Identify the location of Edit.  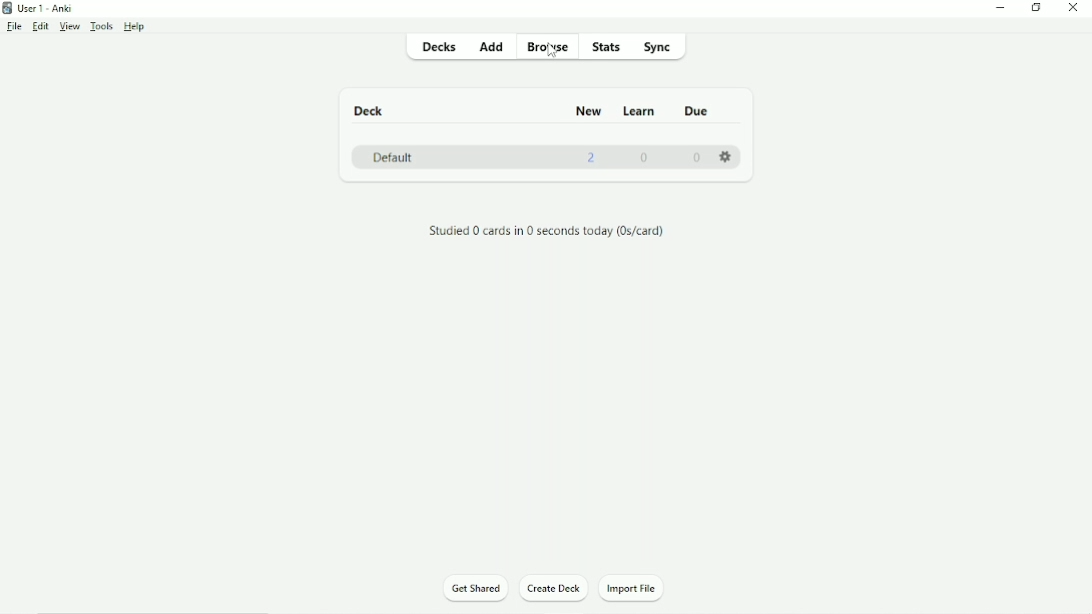
(41, 25).